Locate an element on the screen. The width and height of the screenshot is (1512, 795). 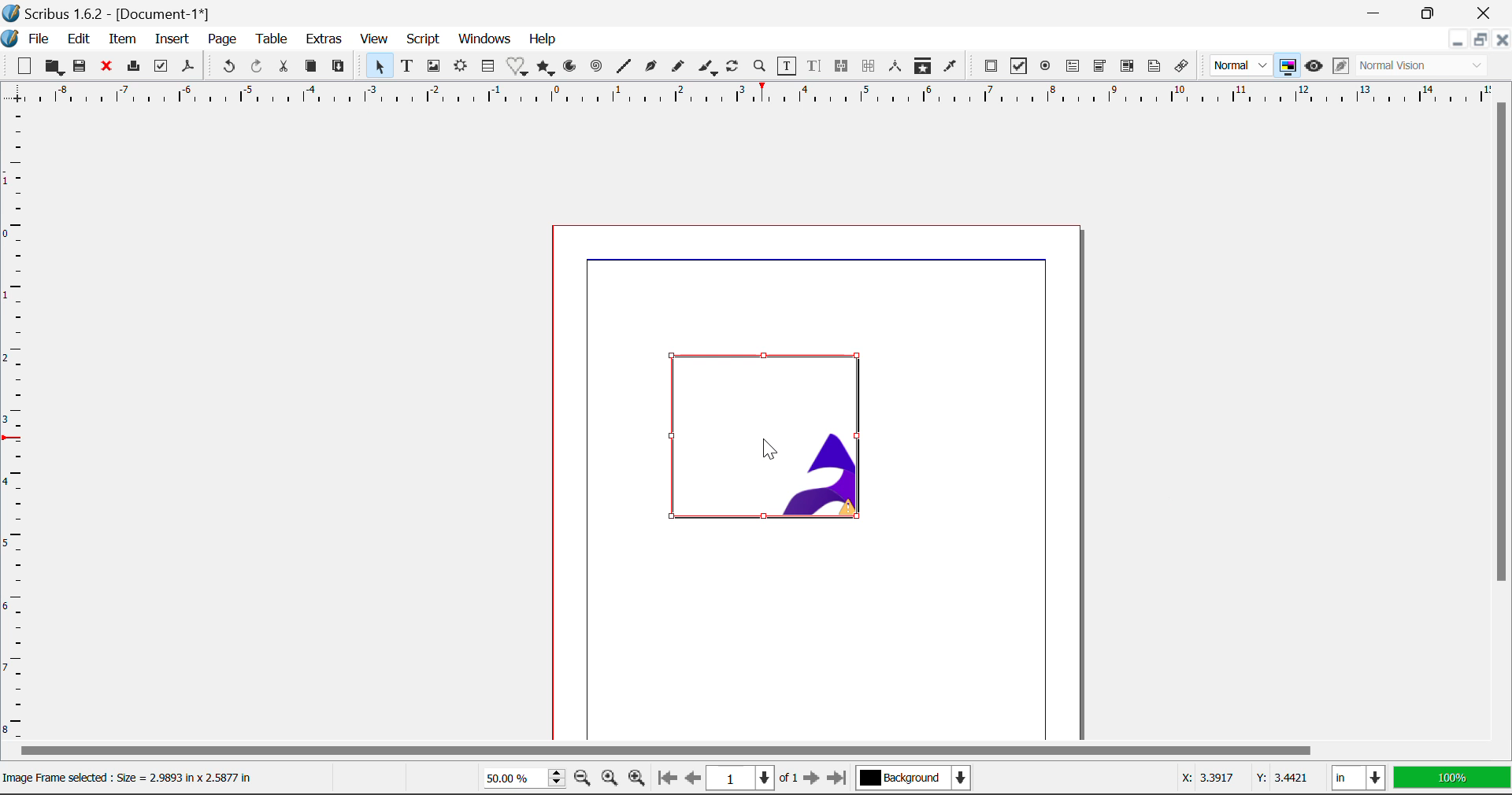
Extras is located at coordinates (325, 39).